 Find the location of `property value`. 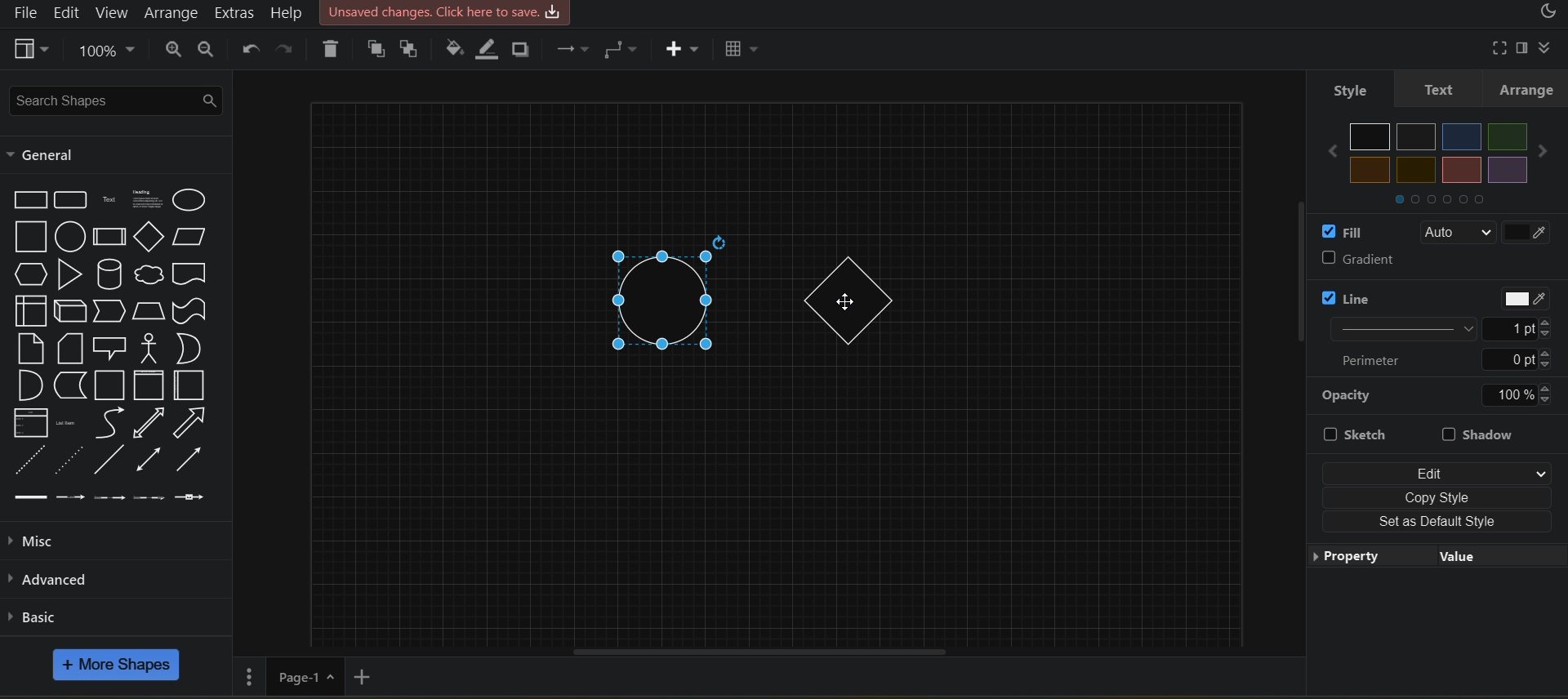

property value is located at coordinates (1437, 556).